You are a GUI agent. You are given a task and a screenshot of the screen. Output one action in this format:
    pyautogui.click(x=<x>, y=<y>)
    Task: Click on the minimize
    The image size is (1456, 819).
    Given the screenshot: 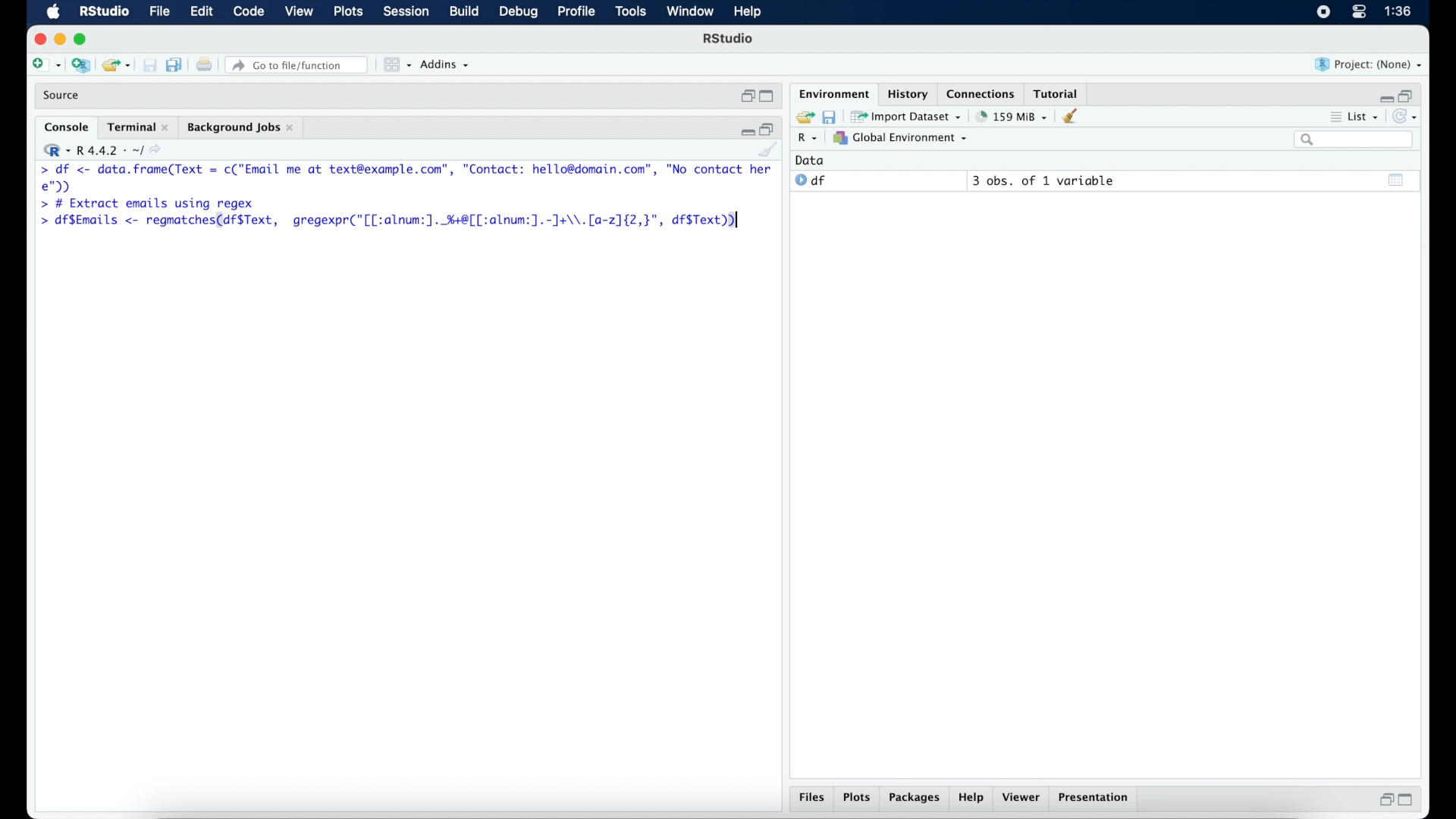 What is the action you would take?
    pyautogui.click(x=745, y=131)
    